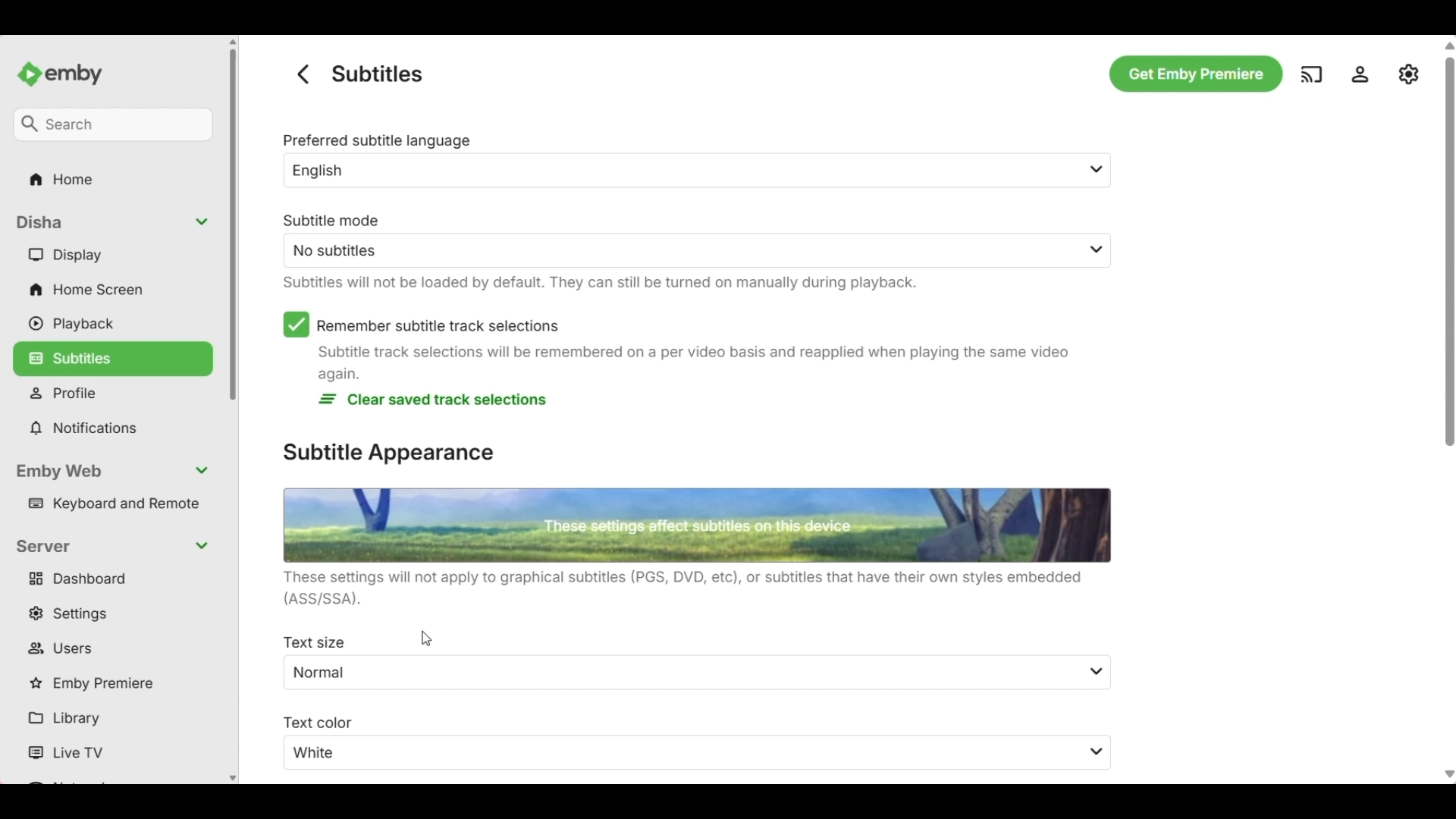 The height and width of the screenshot is (819, 1456). I want to click on Toggle to remember subtitle track selections, so click(421, 325).